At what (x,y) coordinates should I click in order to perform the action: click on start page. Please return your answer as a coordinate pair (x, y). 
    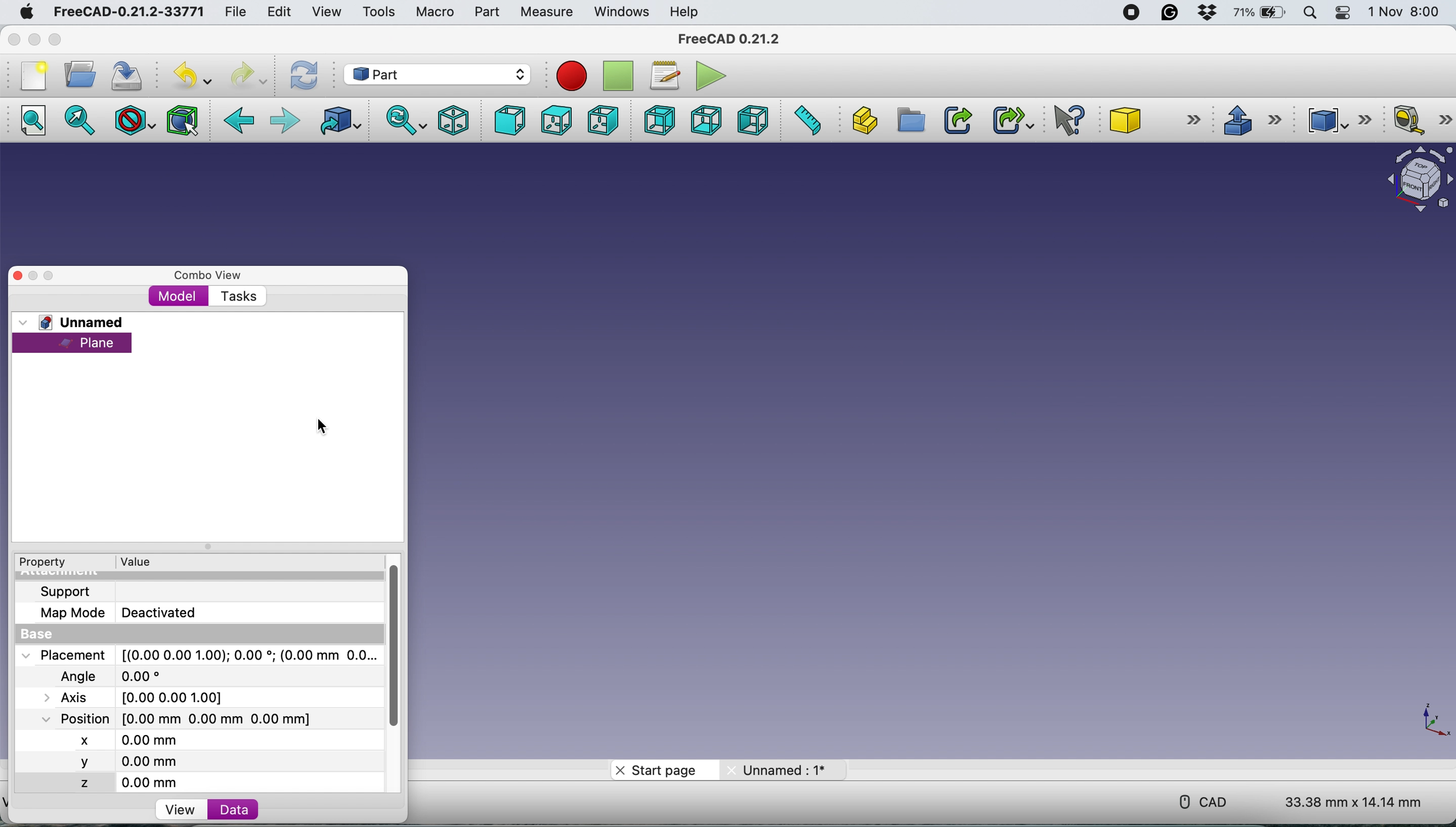
    Looking at the image, I should click on (660, 772).